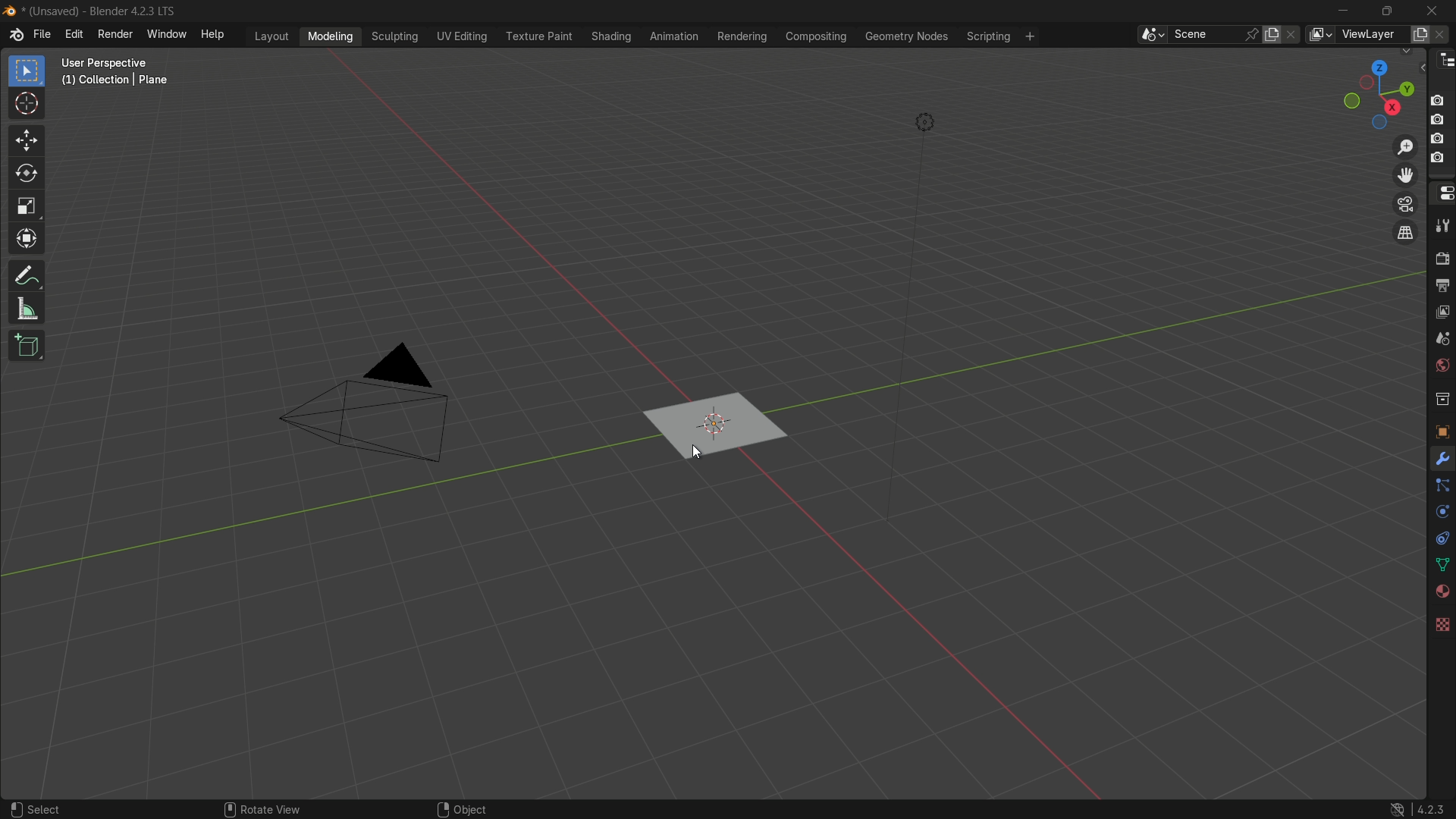 The image size is (1456, 819). I want to click on annotate, so click(26, 276).